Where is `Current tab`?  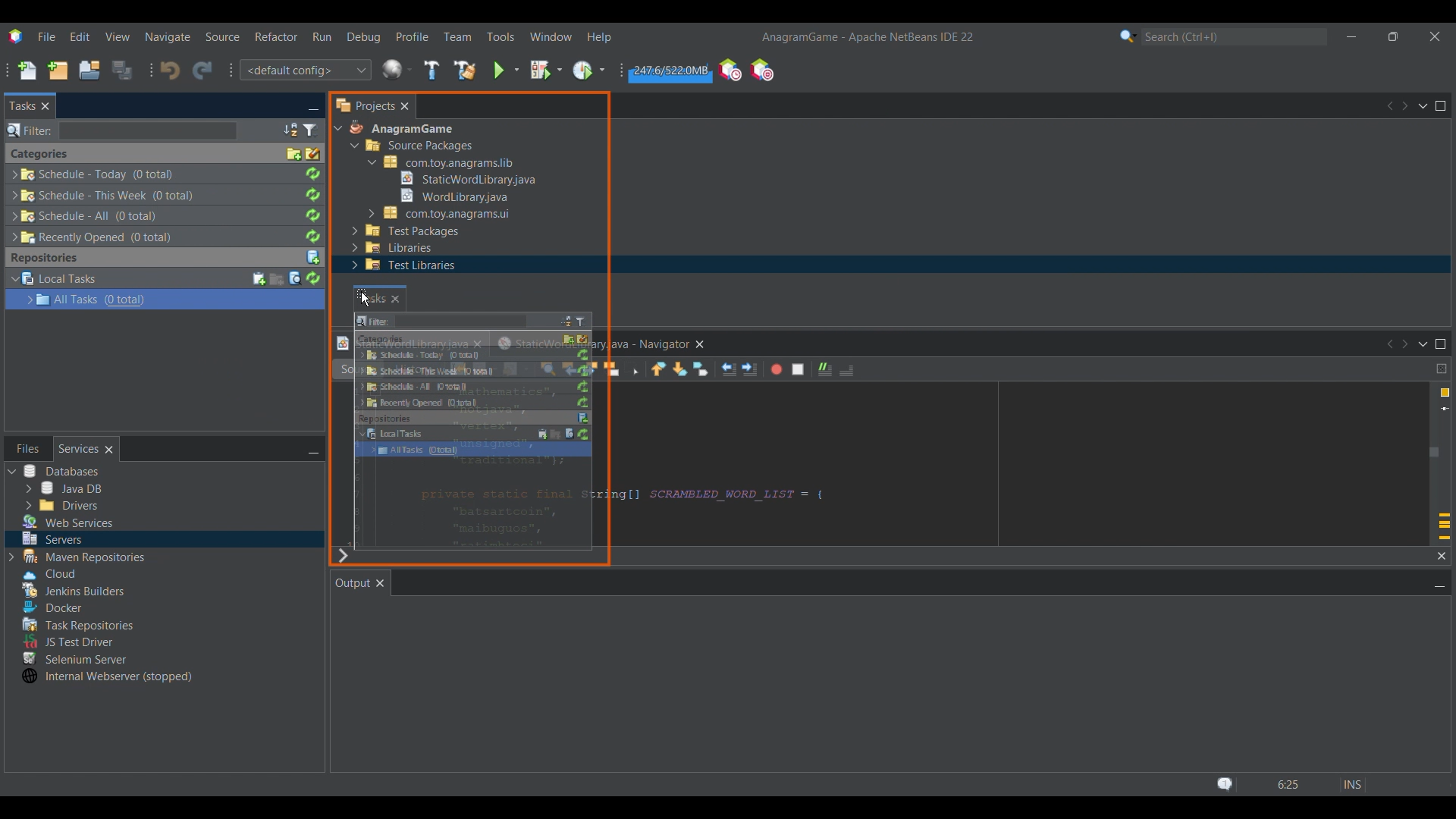
Current tab is located at coordinates (352, 582).